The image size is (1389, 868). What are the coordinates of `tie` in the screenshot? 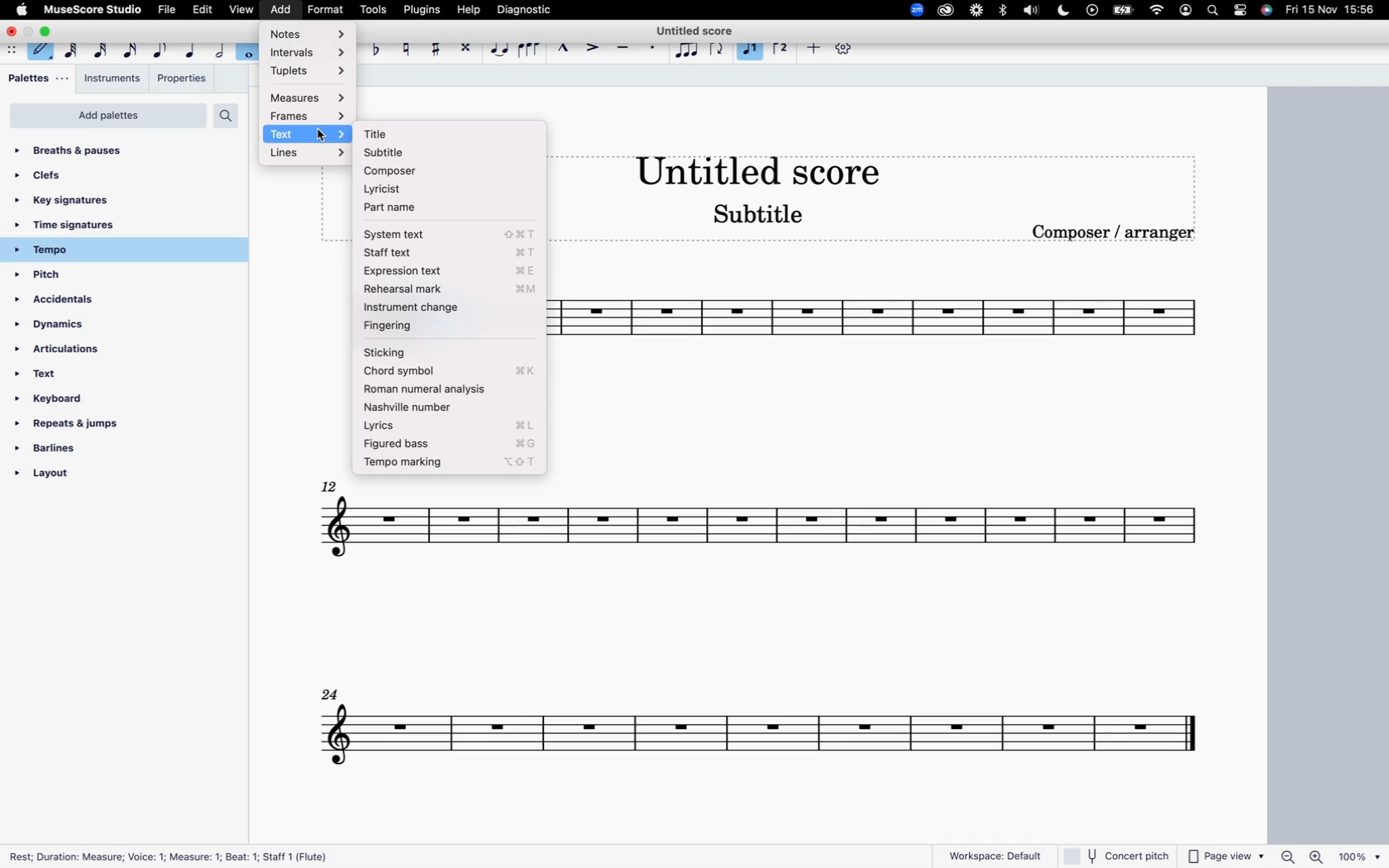 It's located at (498, 47).